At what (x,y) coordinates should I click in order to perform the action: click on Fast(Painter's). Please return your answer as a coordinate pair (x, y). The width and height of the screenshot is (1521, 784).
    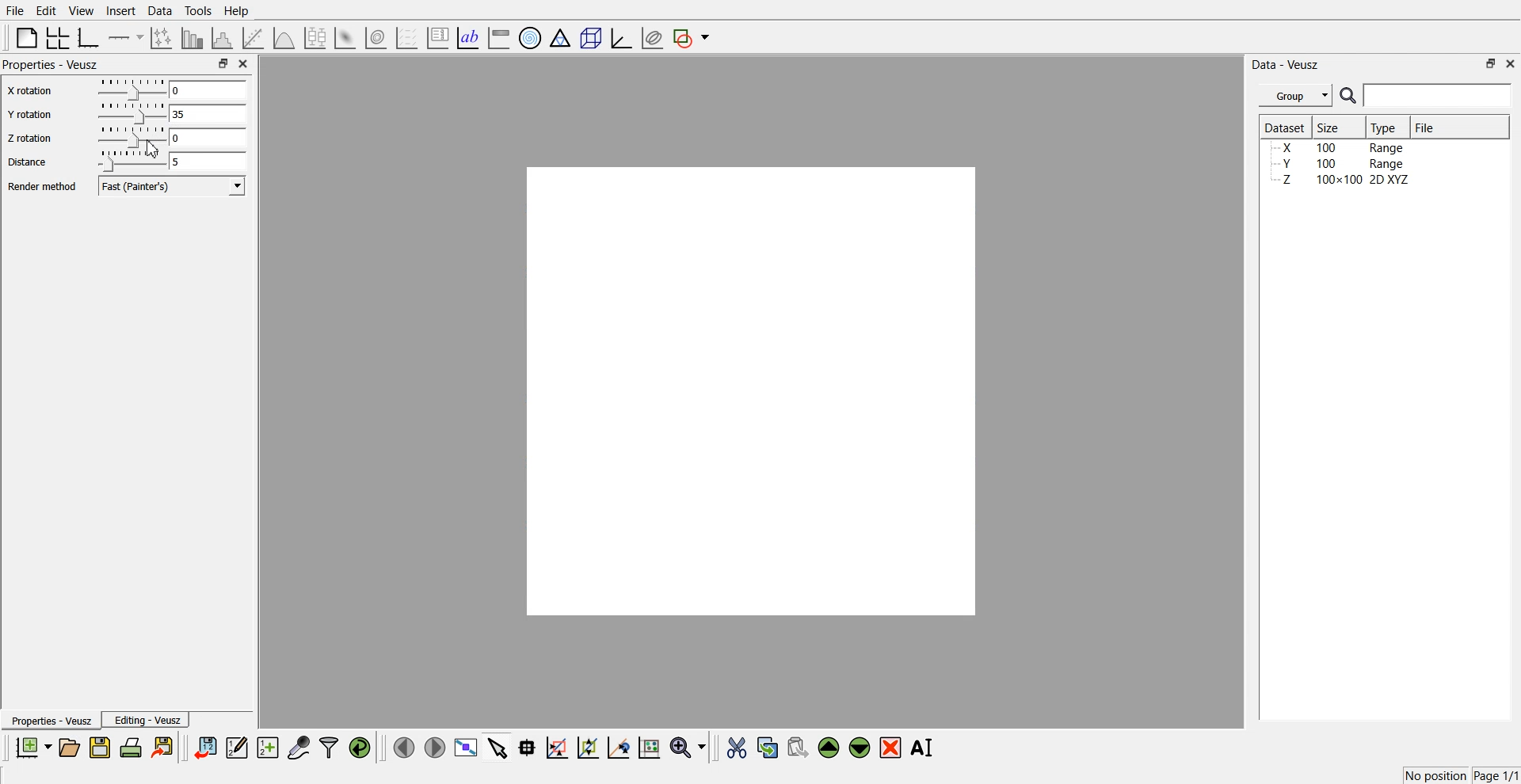
    Looking at the image, I should click on (173, 186).